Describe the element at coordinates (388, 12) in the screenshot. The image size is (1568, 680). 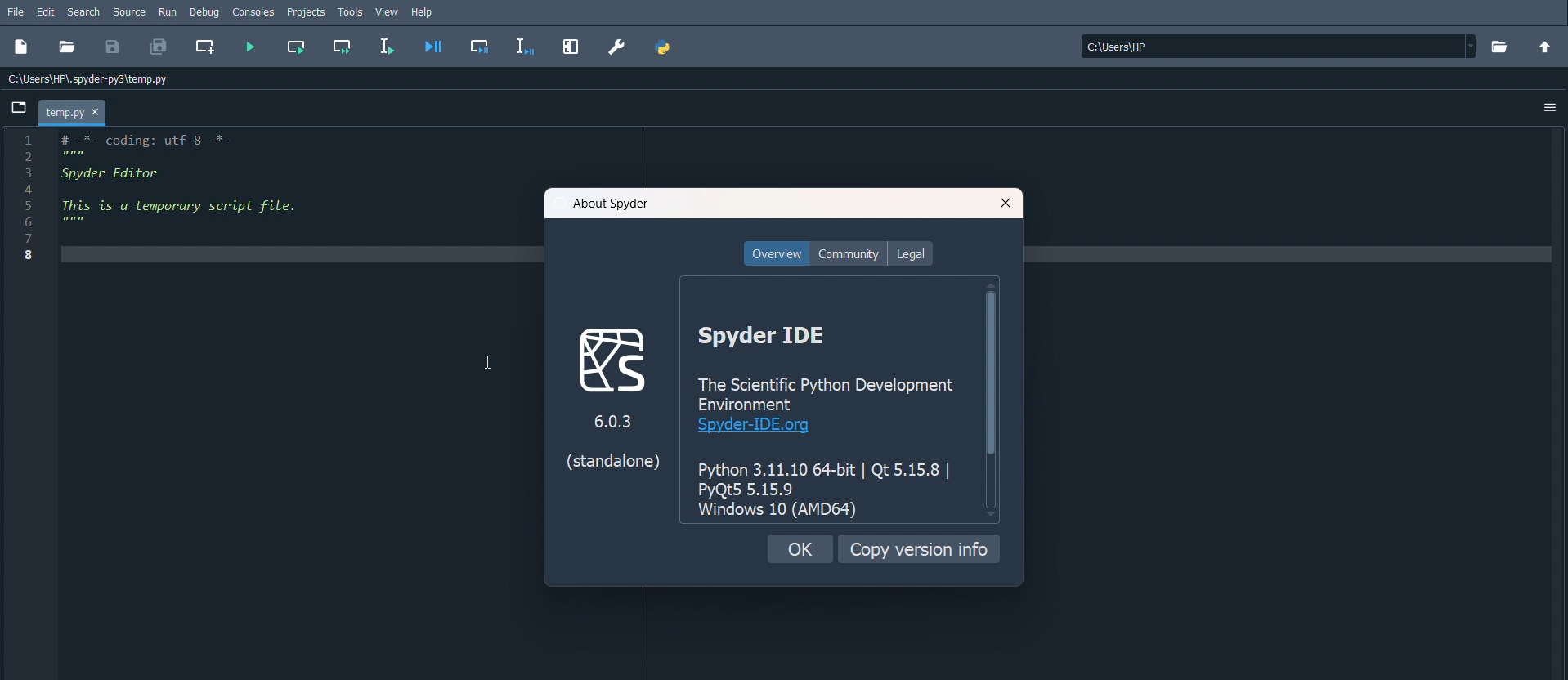
I see `View` at that location.